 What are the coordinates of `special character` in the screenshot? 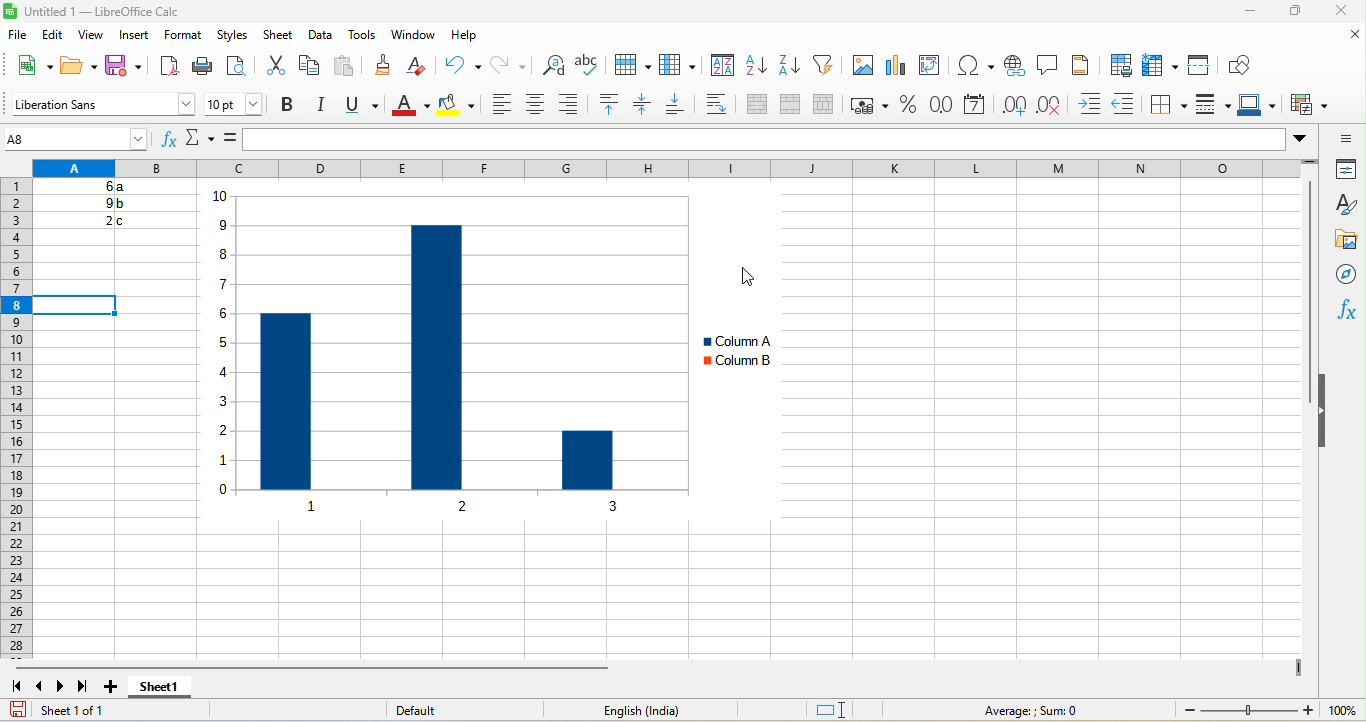 It's located at (974, 65).